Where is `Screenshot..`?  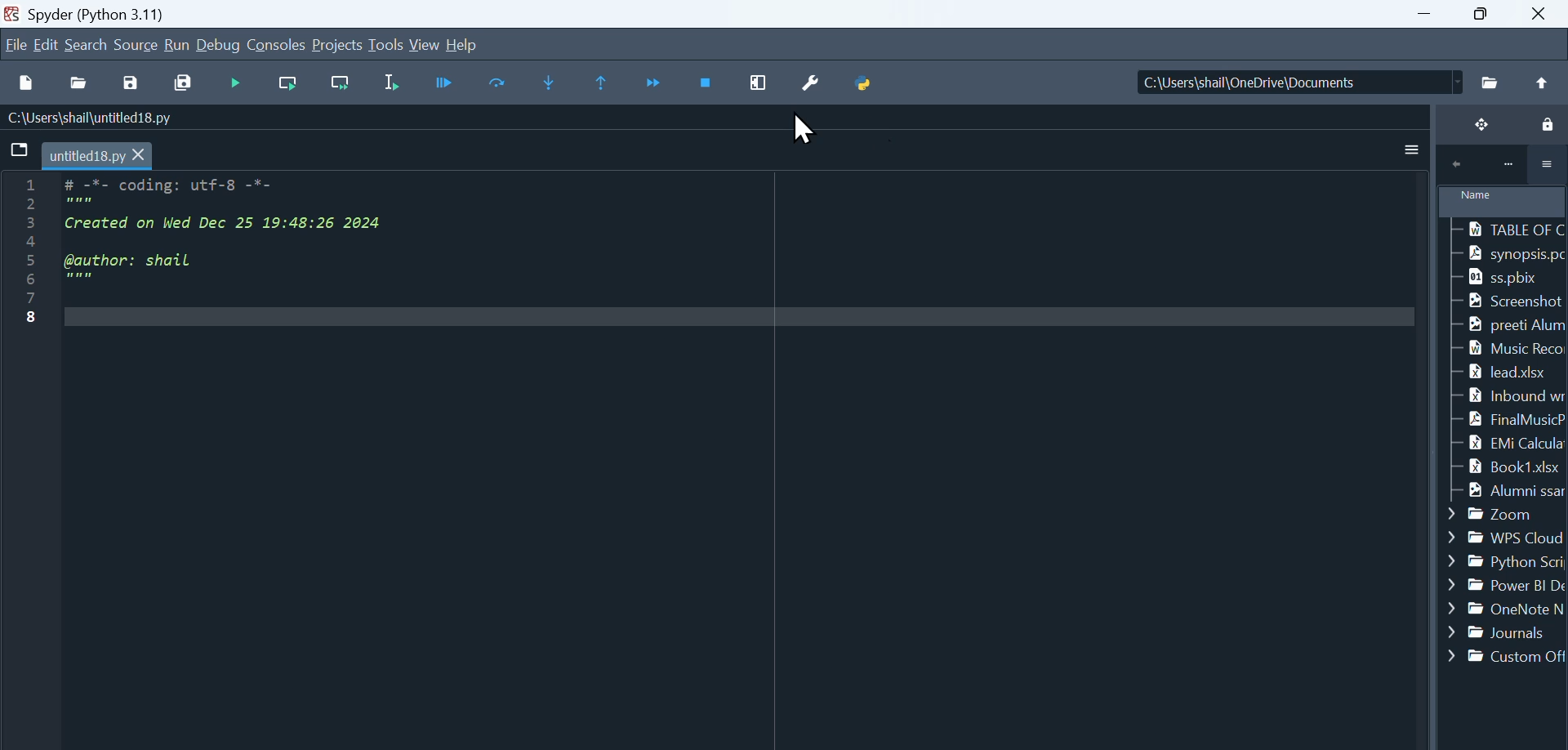 Screenshot.. is located at coordinates (1511, 301).